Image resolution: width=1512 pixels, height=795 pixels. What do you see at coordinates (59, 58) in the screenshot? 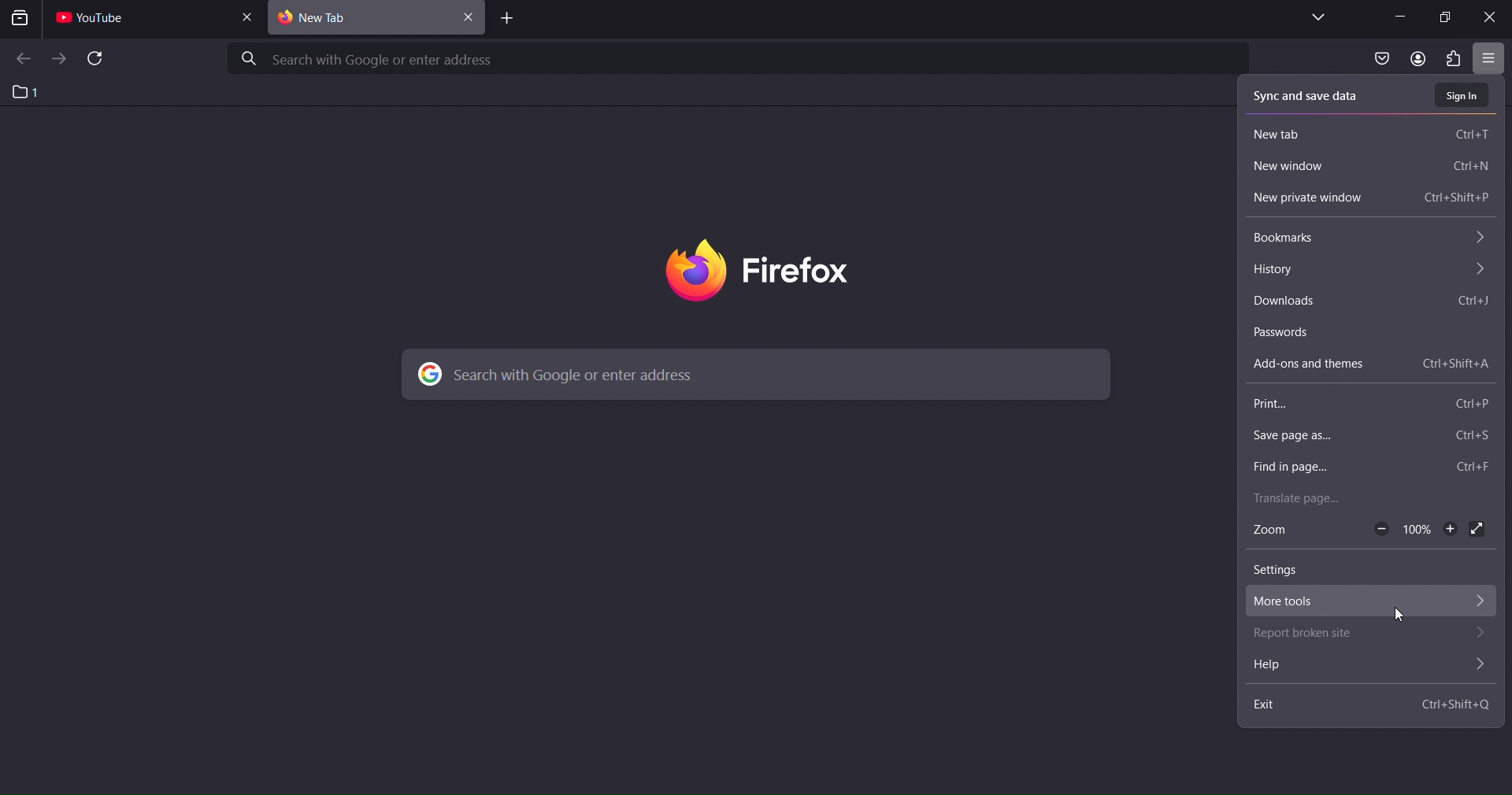
I see `go forward one page` at bounding box center [59, 58].